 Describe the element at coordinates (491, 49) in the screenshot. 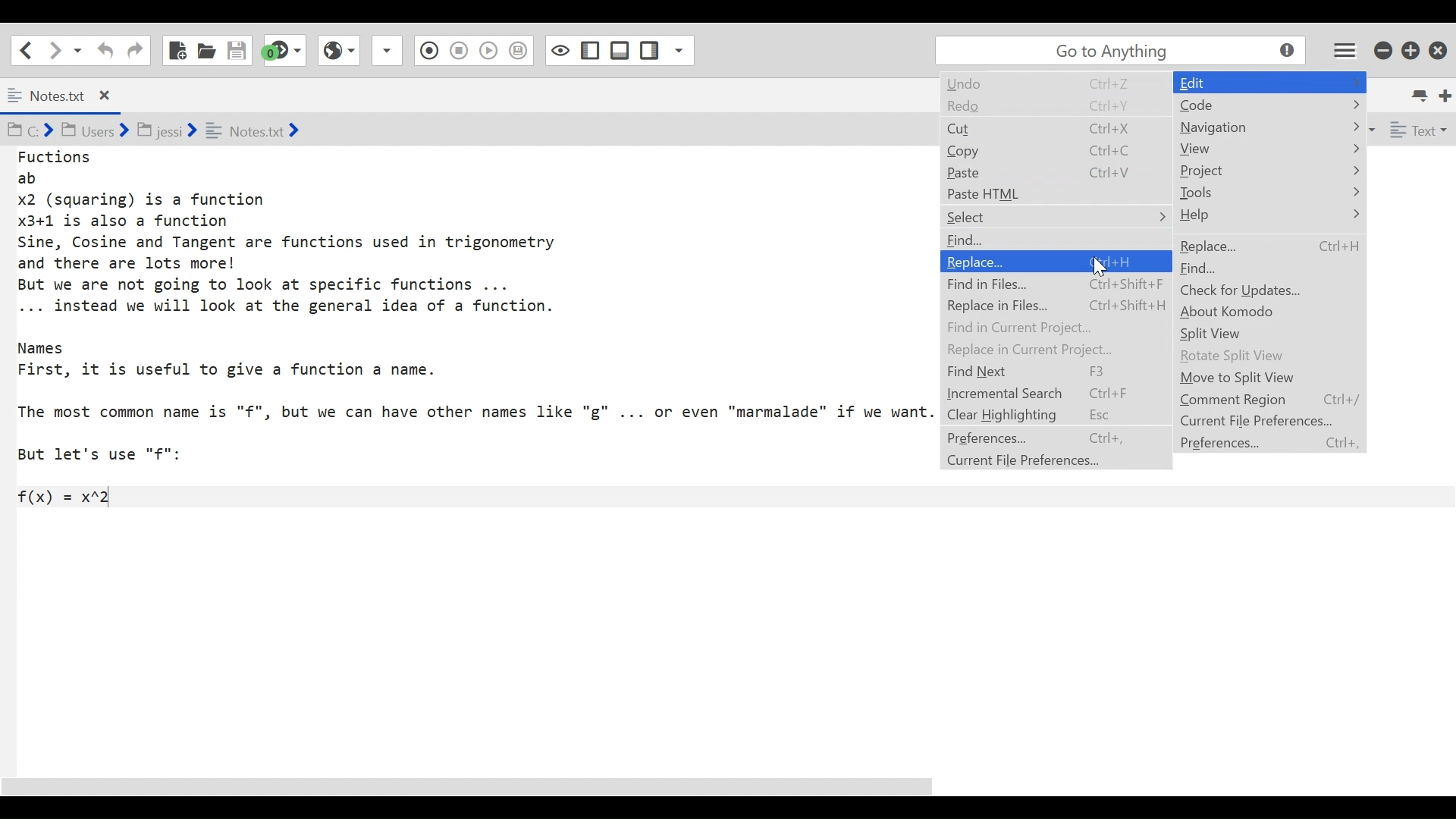

I see `Save Macro to Toolbox as Superscript` at that location.